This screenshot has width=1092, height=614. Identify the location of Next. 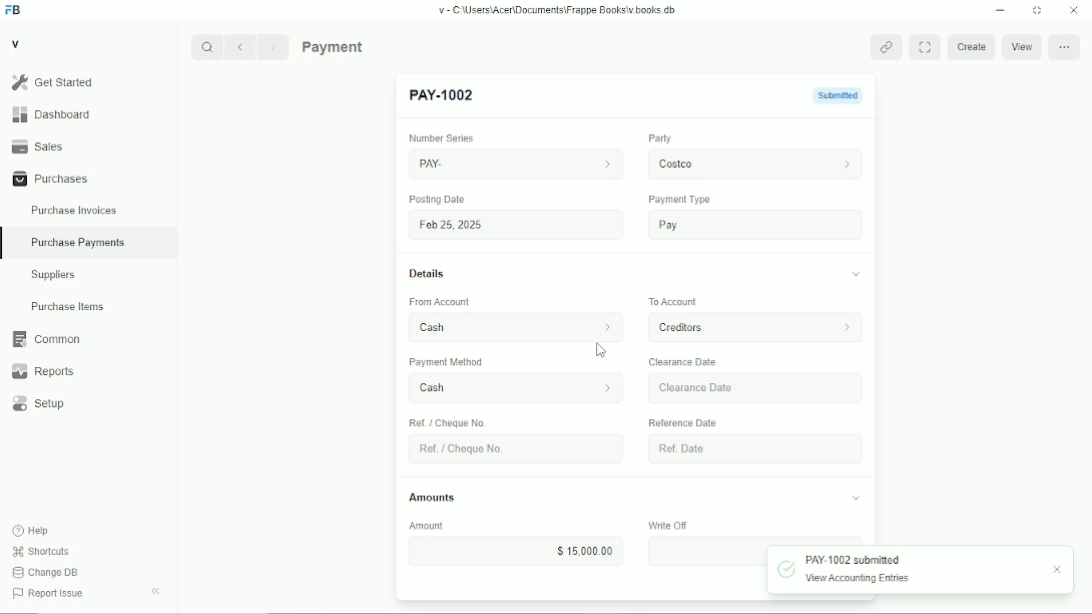
(274, 47).